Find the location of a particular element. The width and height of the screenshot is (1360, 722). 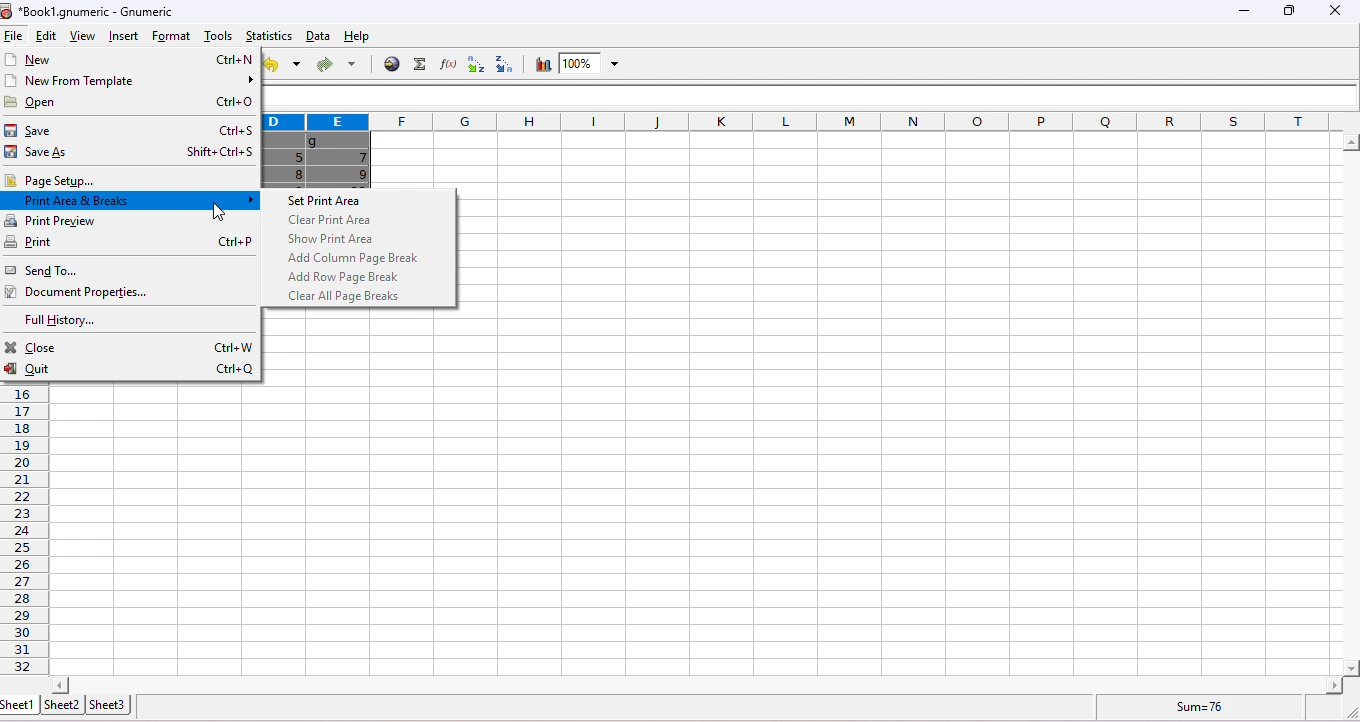

new is located at coordinates (130, 59).